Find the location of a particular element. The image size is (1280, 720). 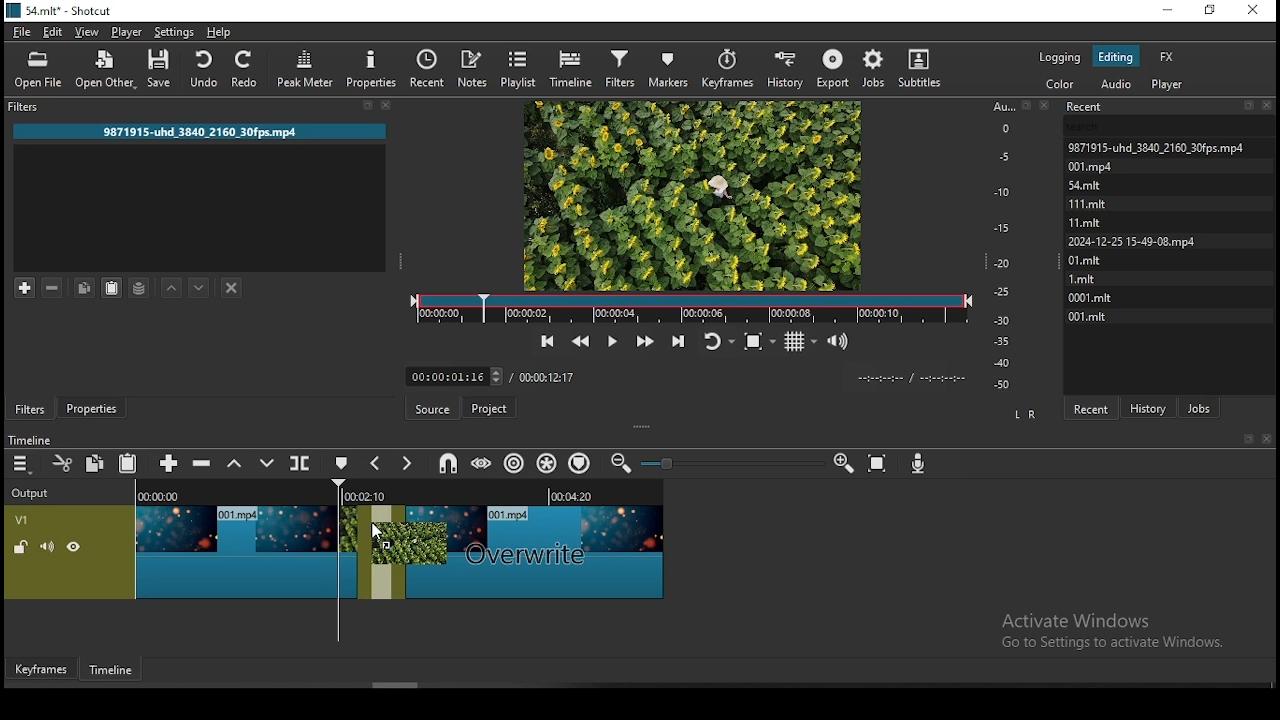

audio is located at coordinates (1115, 85).